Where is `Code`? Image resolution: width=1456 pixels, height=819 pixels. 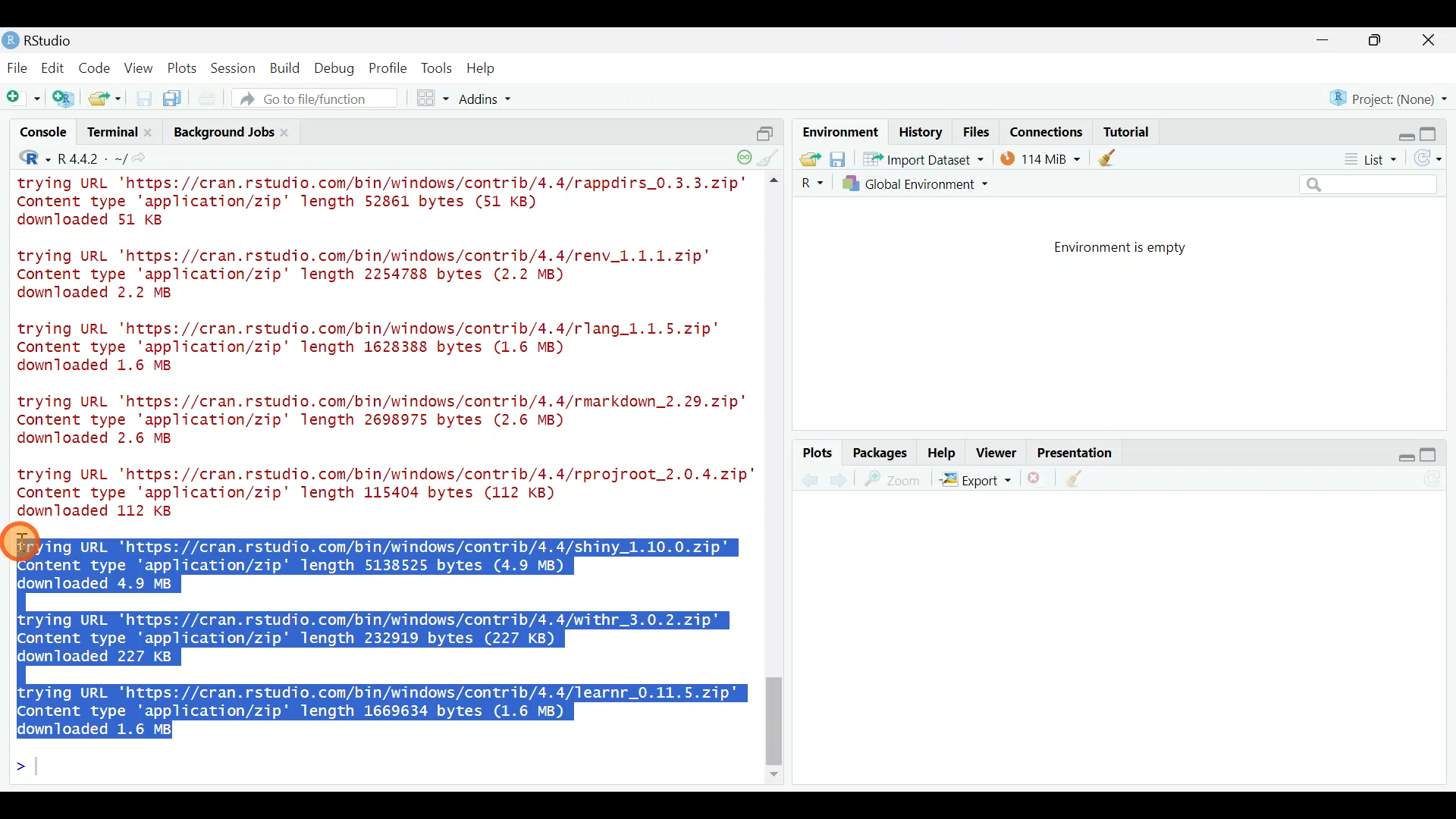 Code is located at coordinates (96, 67).